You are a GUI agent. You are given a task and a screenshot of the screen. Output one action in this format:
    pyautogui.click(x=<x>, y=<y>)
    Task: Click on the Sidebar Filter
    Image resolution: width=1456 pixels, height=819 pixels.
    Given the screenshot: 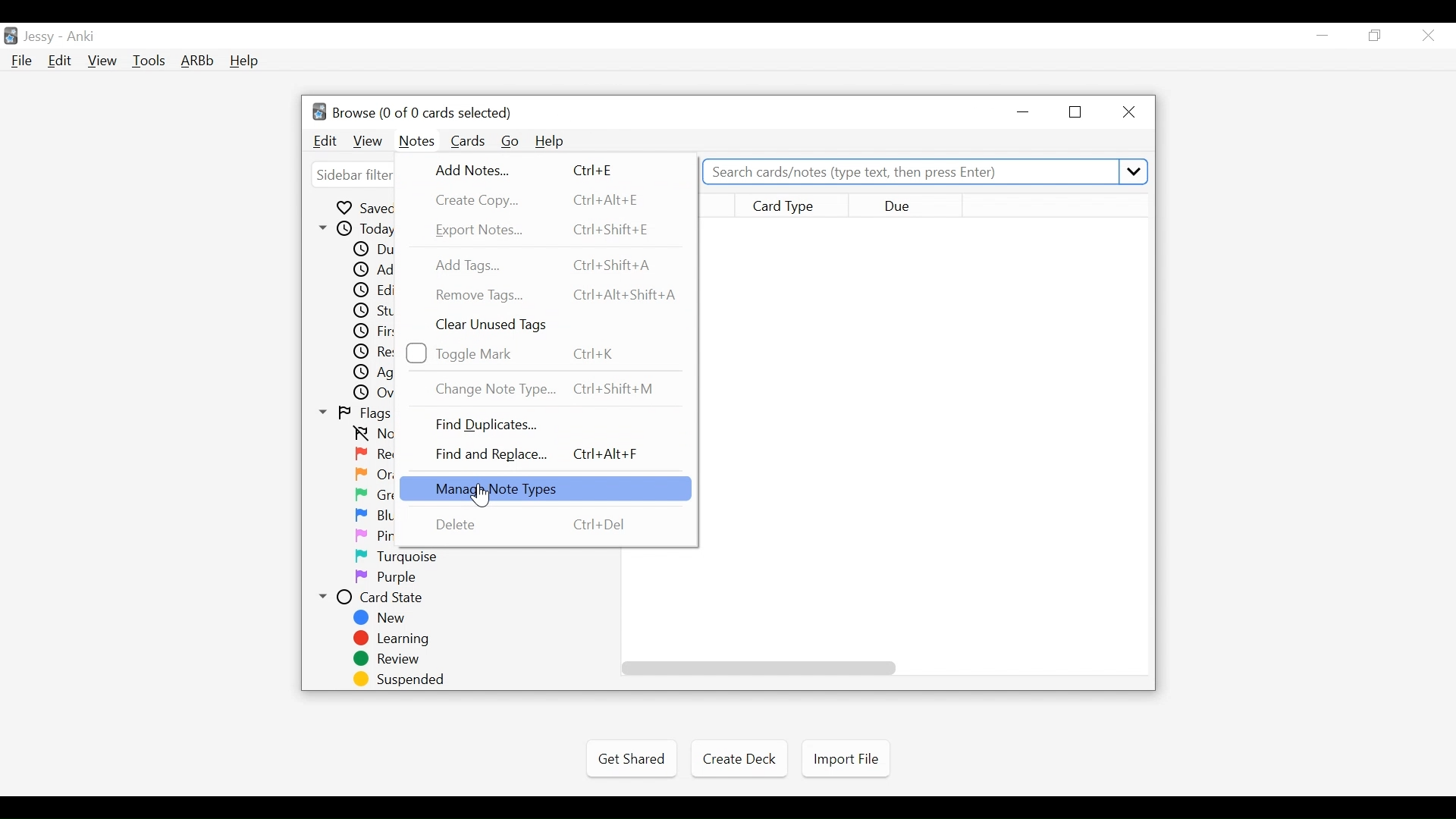 What is the action you would take?
    pyautogui.click(x=351, y=176)
    